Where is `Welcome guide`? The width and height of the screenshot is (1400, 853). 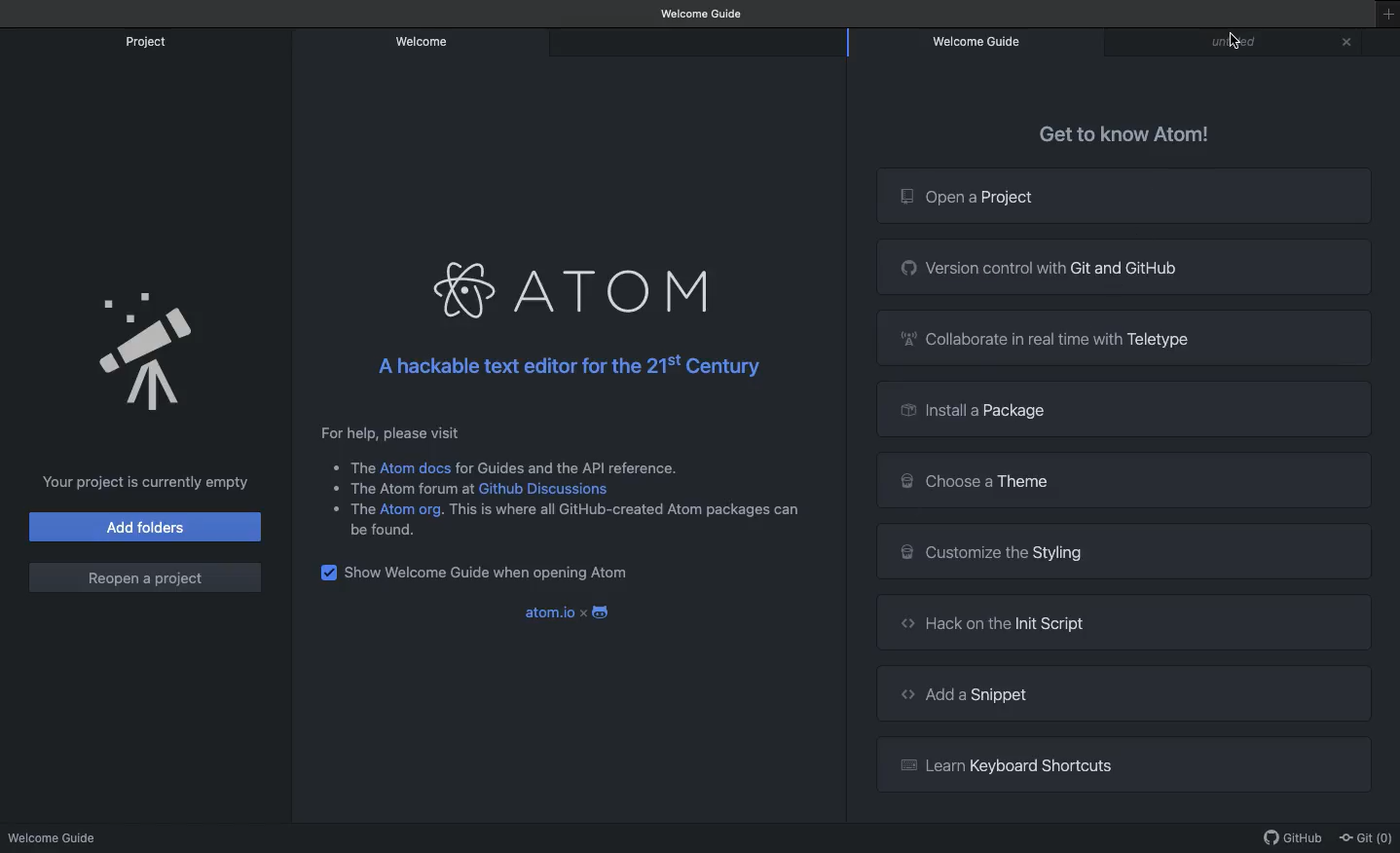 Welcome guide is located at coordinates (983, 41).